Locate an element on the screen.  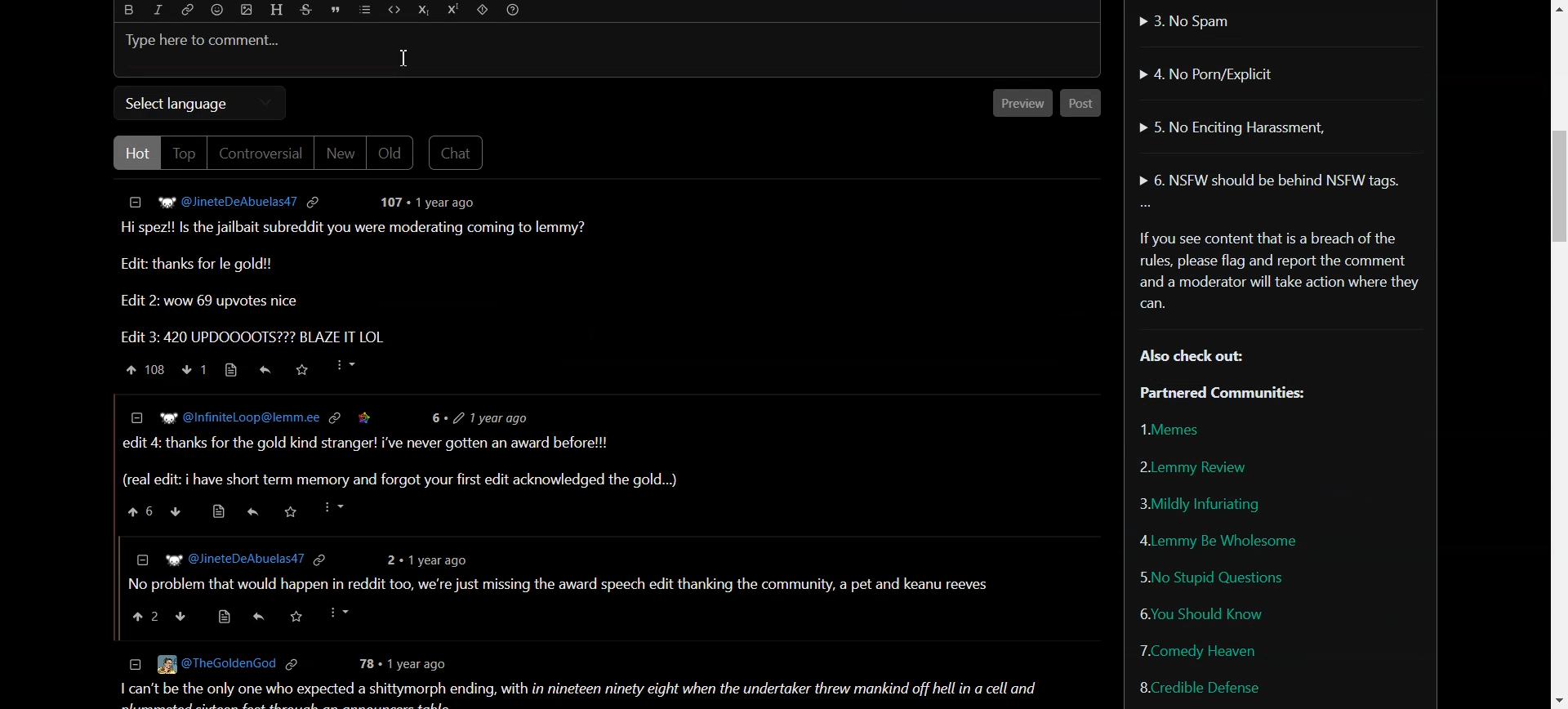
Bold is located at coordinates (129, 11).